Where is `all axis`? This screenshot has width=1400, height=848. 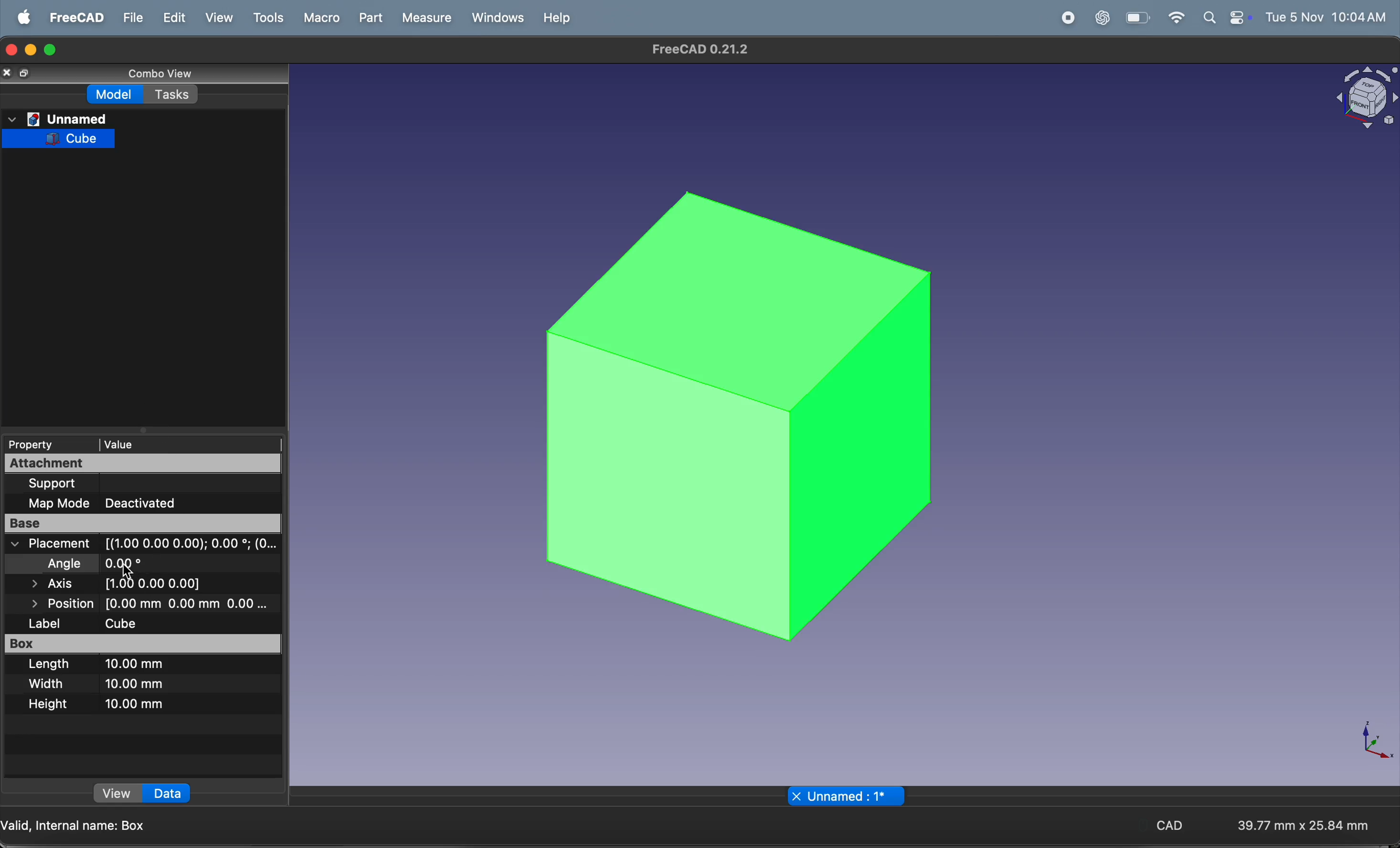 all axis is located at coordinates (190, 584).